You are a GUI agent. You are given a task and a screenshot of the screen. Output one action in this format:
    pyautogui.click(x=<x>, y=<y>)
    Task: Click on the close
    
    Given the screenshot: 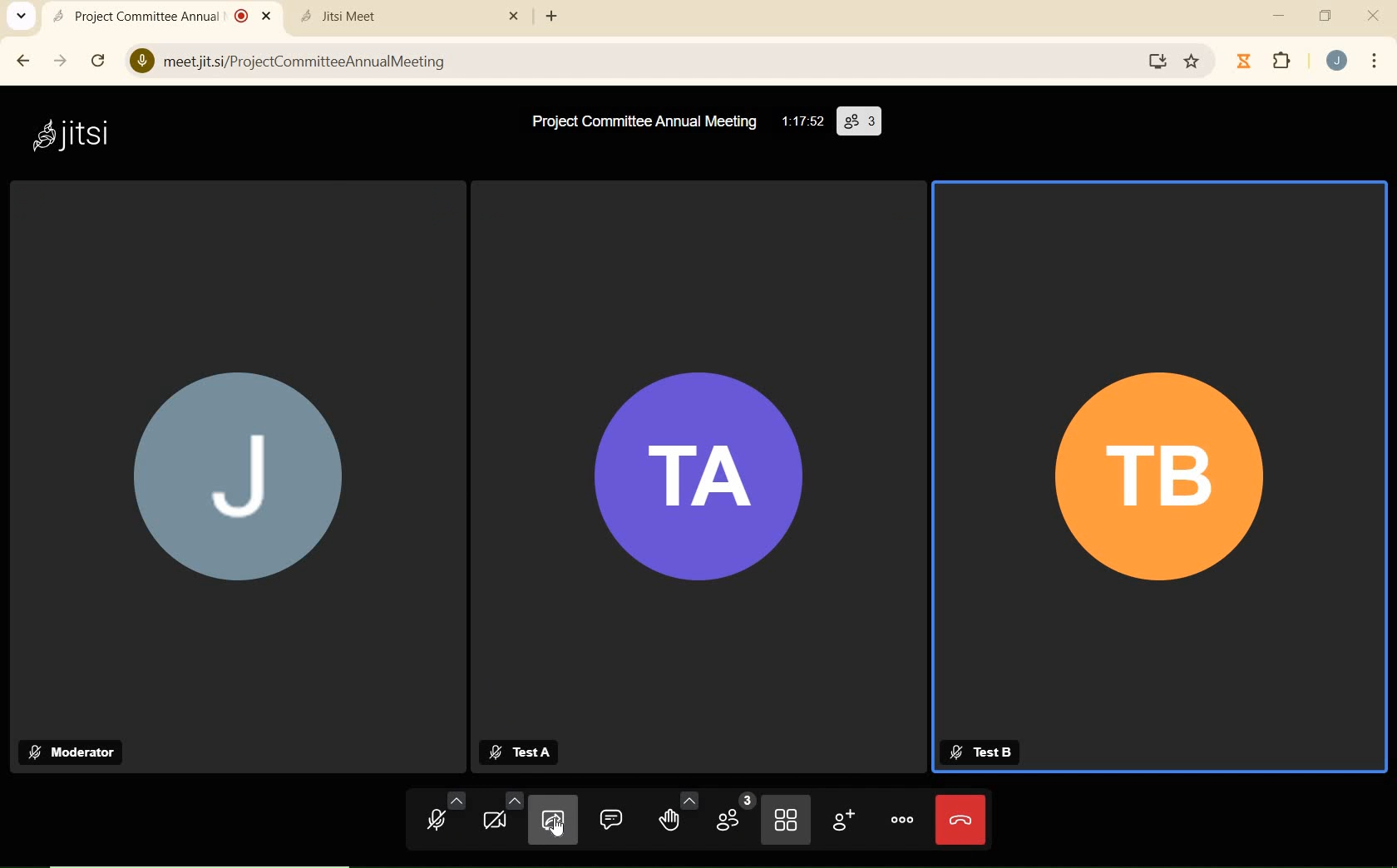 What is the action you would take?
    pyautogui.click(x=1375, y=13)
    